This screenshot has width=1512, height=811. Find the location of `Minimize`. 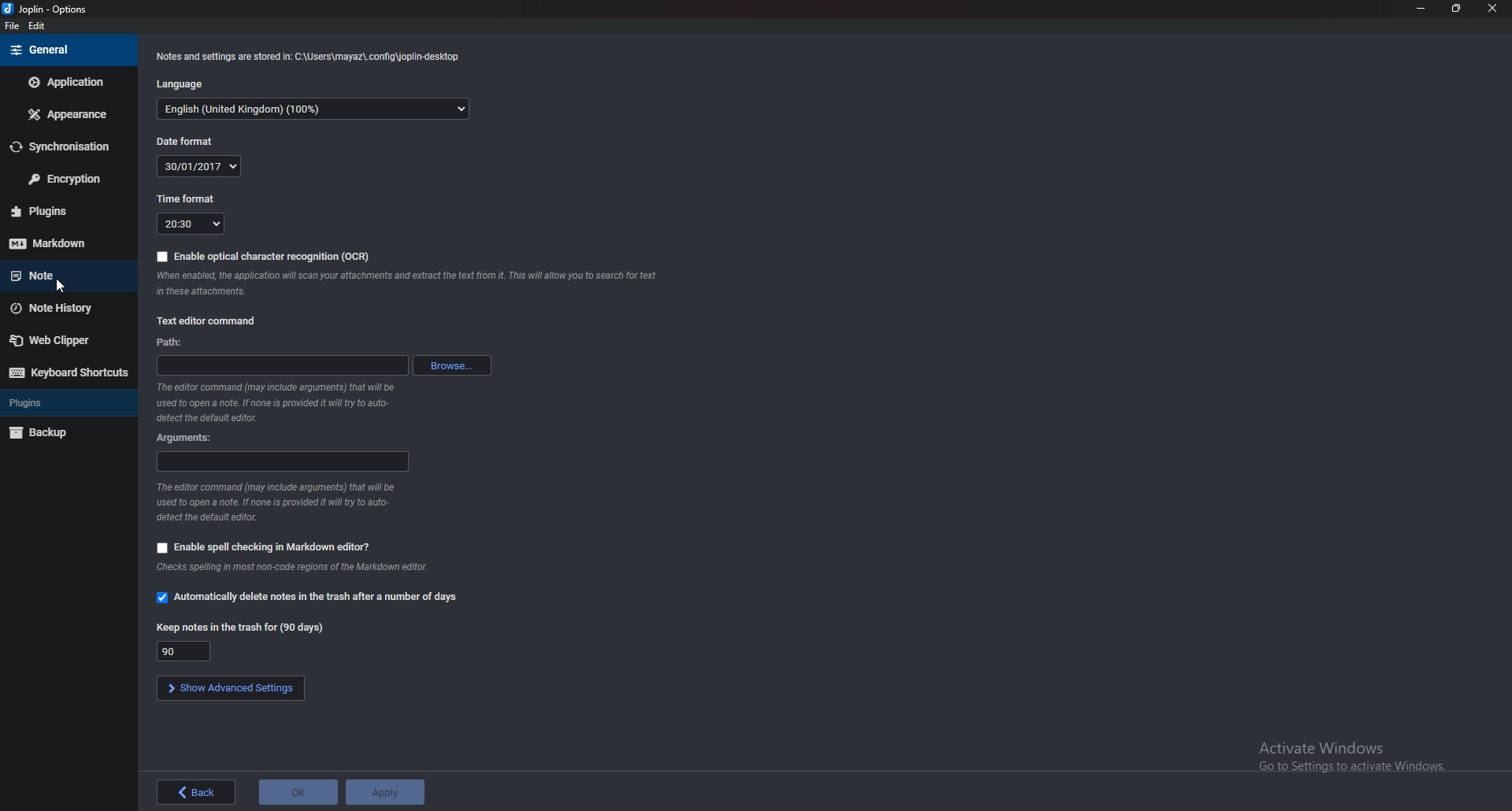

Minimize is located at coordinates (1421, 9).